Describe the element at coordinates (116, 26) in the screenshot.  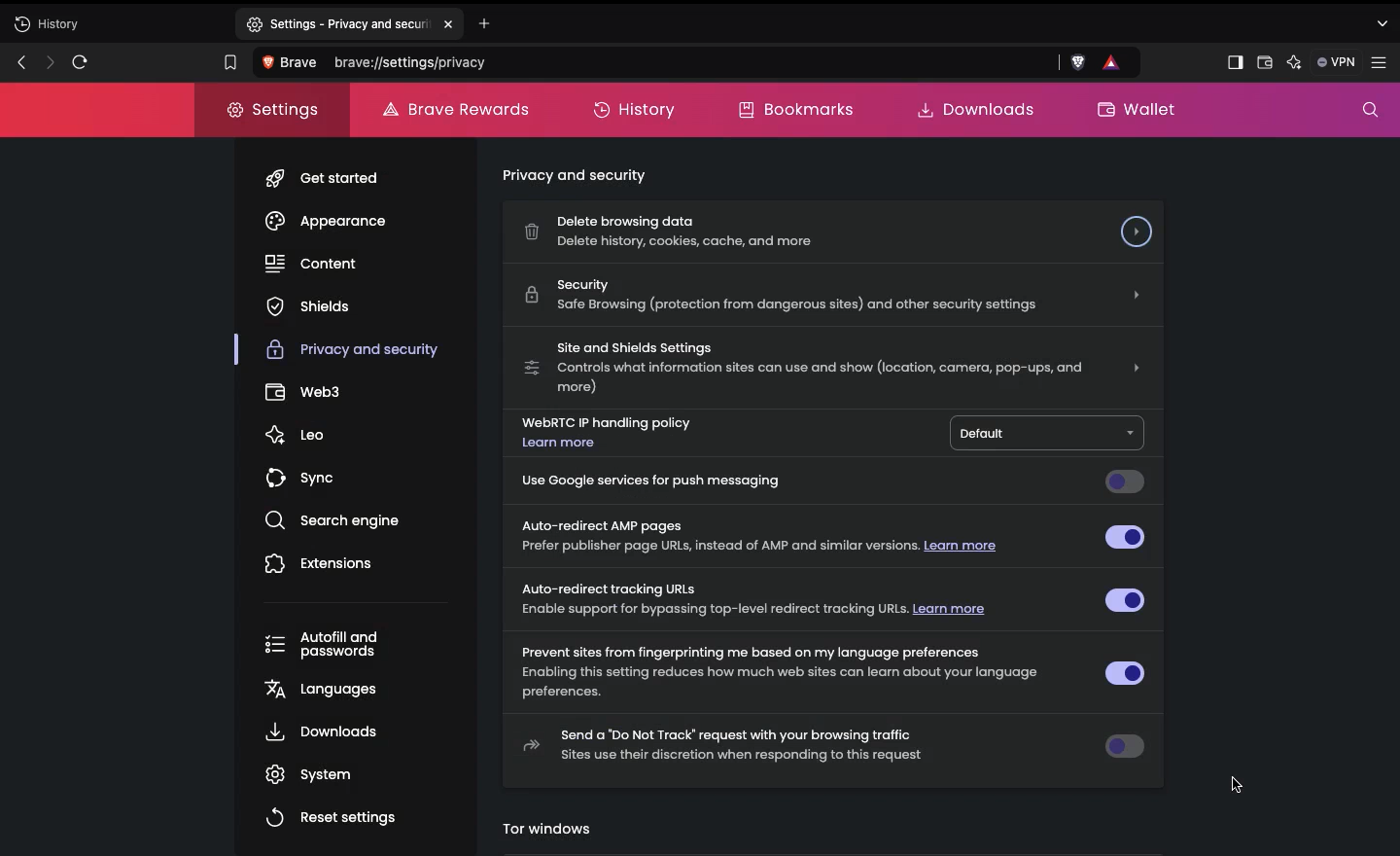
I see `New tab` at that location.